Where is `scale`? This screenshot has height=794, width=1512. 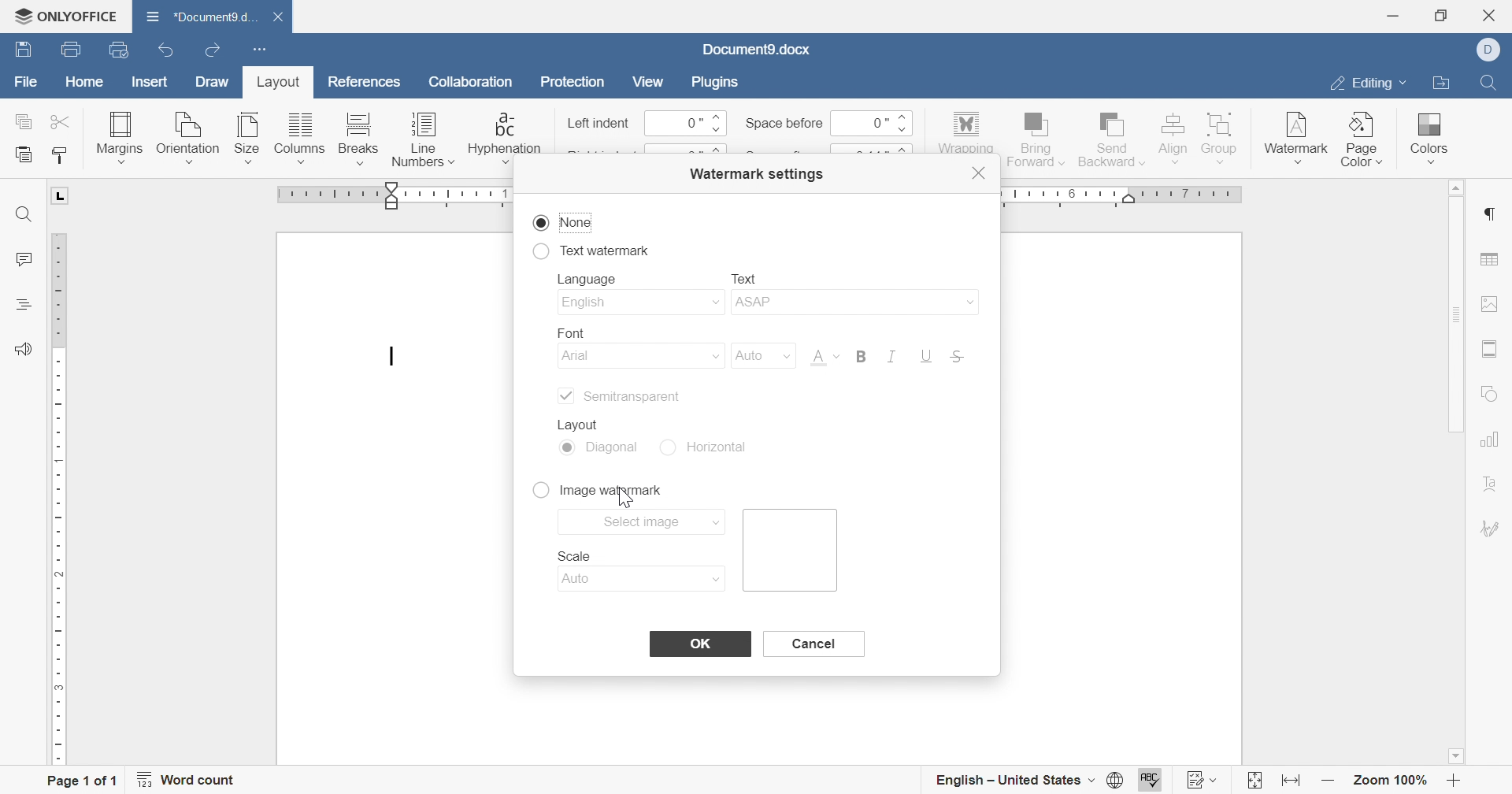 scale is located at coordinates (574, 555).